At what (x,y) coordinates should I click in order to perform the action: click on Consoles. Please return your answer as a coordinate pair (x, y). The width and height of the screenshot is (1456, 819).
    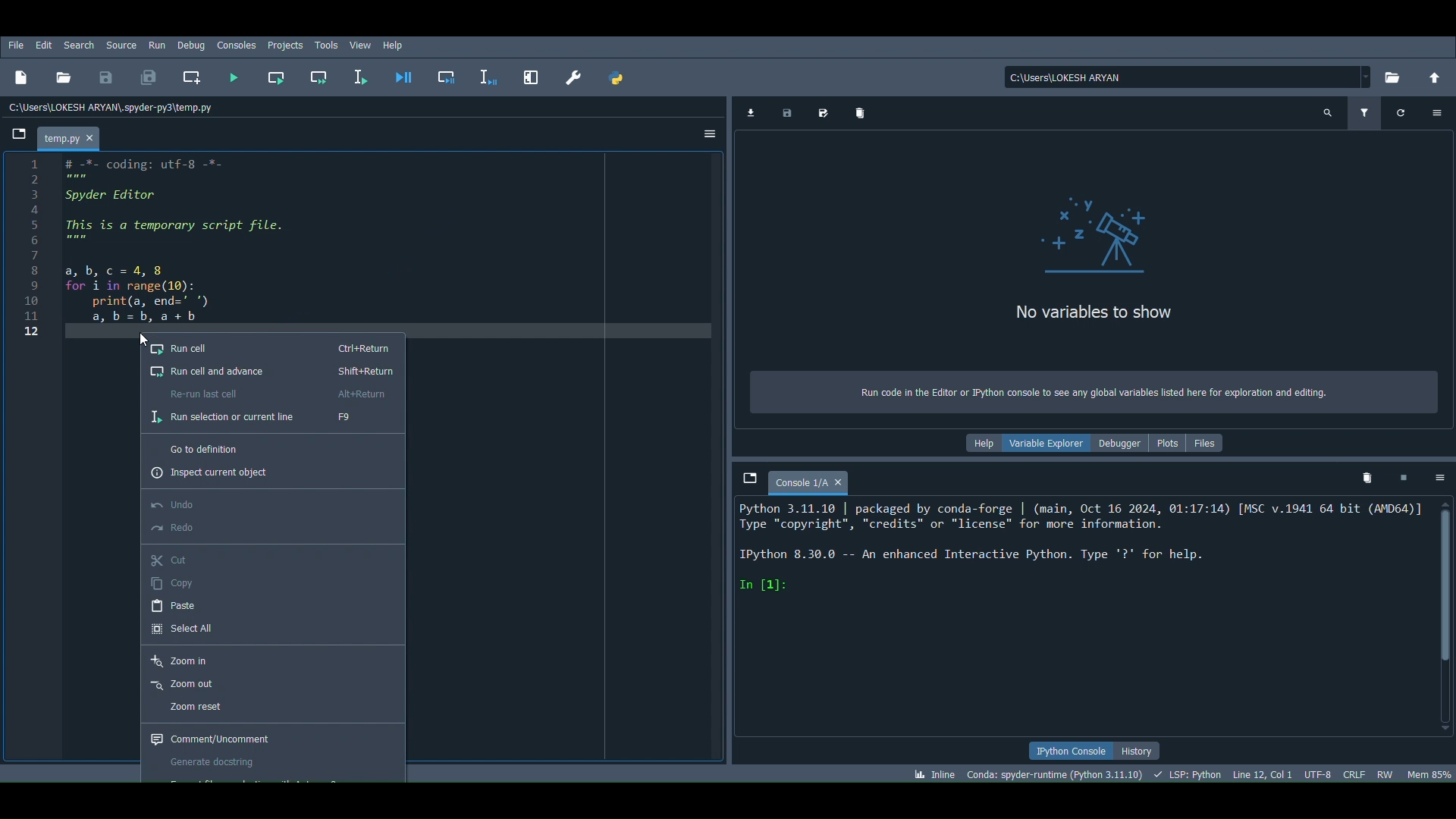
    Looking at the image, I should click on (237, 45).